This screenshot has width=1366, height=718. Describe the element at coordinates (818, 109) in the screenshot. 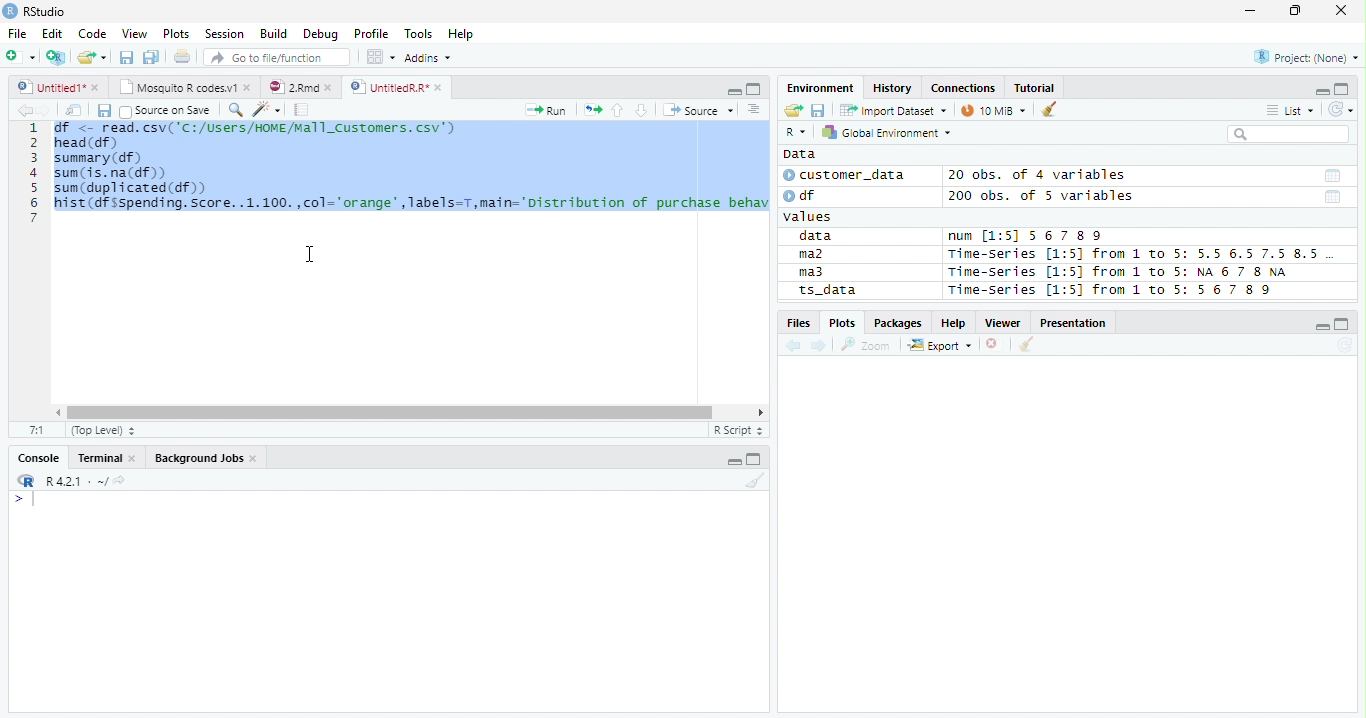

I see `Save` at that location.